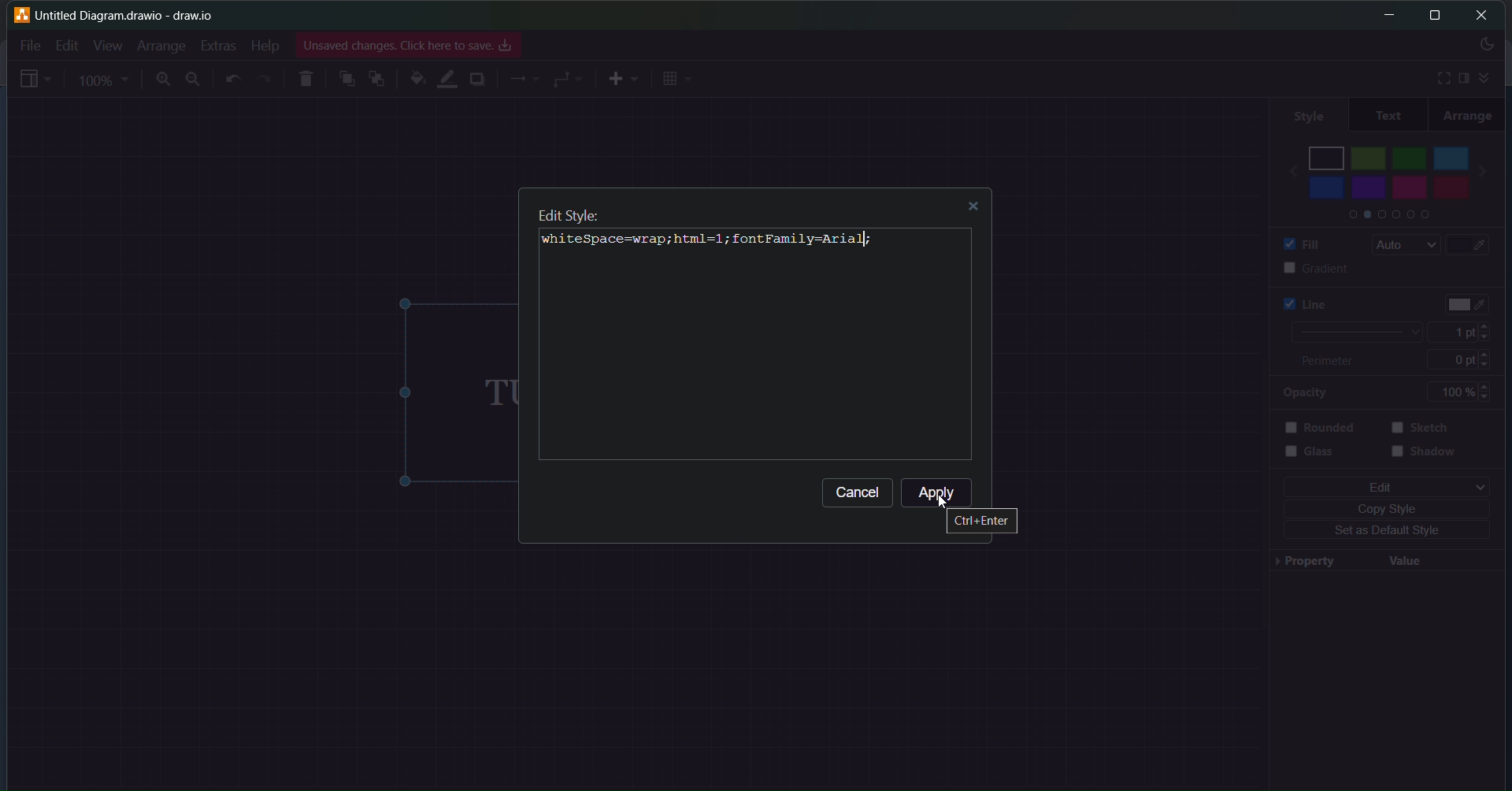 This screenshot has width=1512, height=791. I want to click on fill, so click(1296, 243).